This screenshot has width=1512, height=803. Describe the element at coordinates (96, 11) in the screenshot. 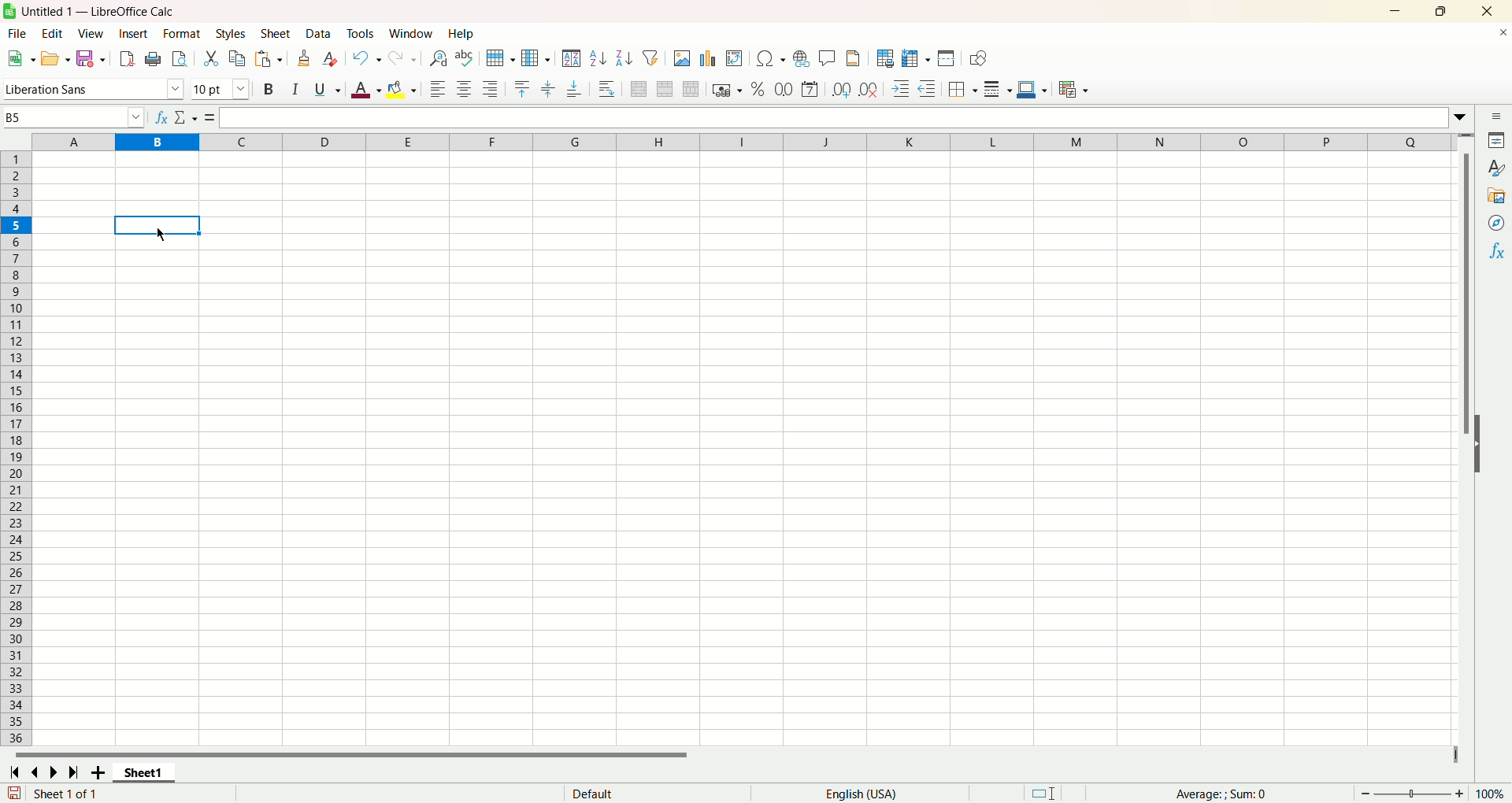

I see `Untitled1 - LibreOffice Calc` at that location.